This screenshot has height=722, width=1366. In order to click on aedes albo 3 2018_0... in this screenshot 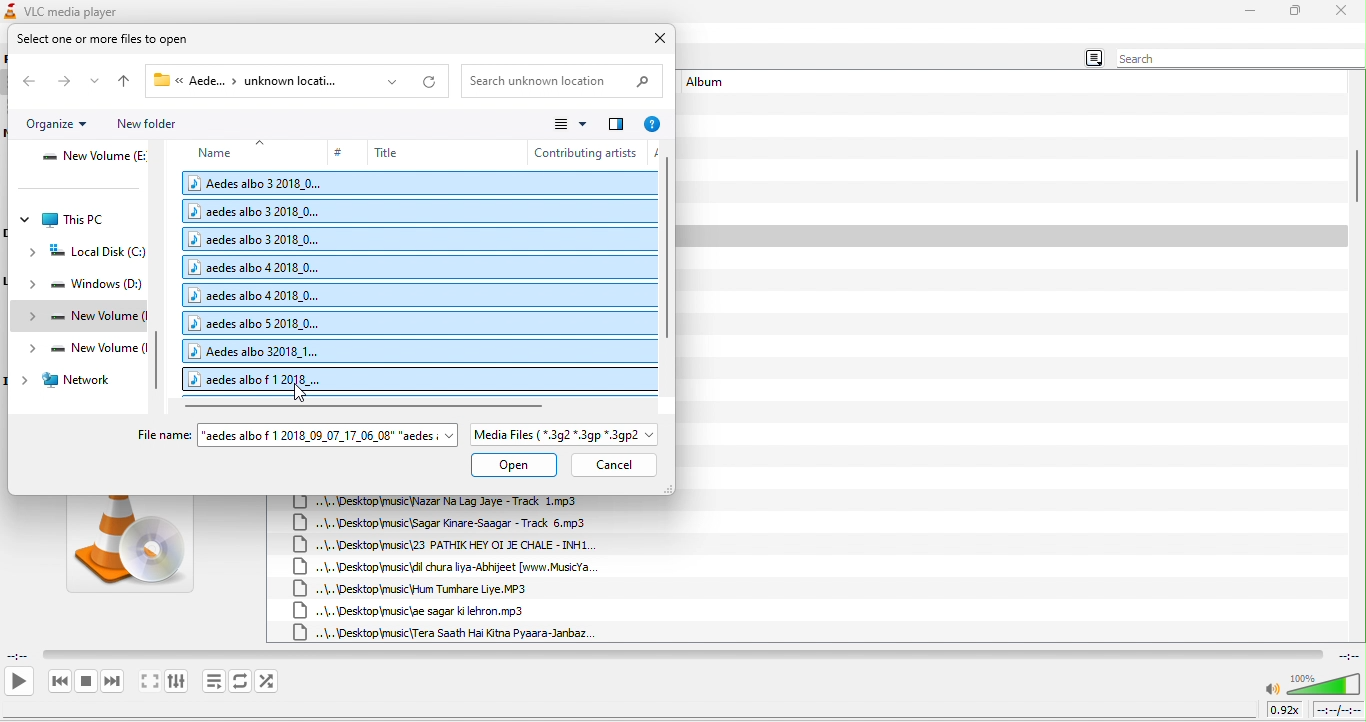, I will do `click(255, 212)`.